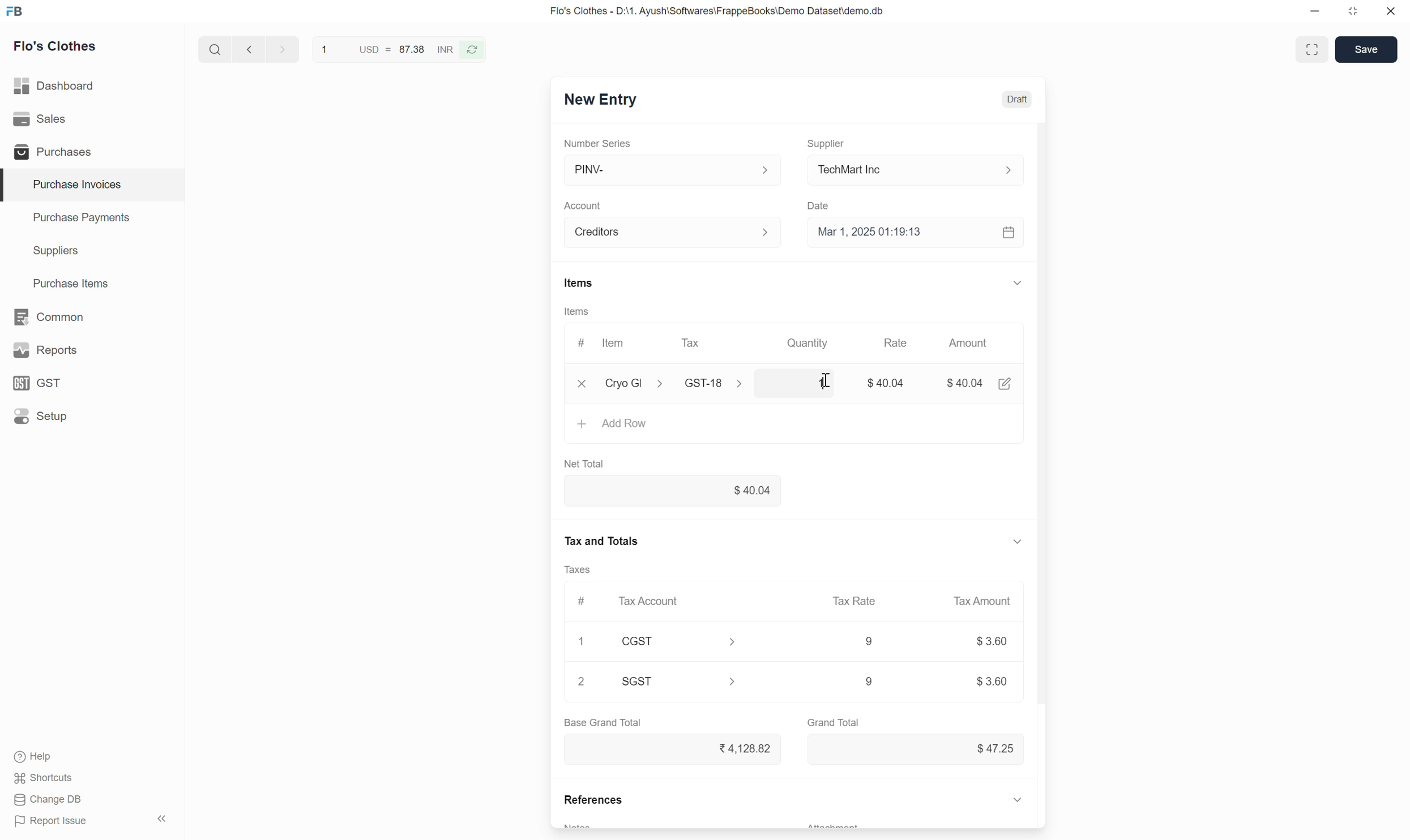  Describe the element at coordinates (1018, 100) in the screenshot. I see `Draft` at that location.